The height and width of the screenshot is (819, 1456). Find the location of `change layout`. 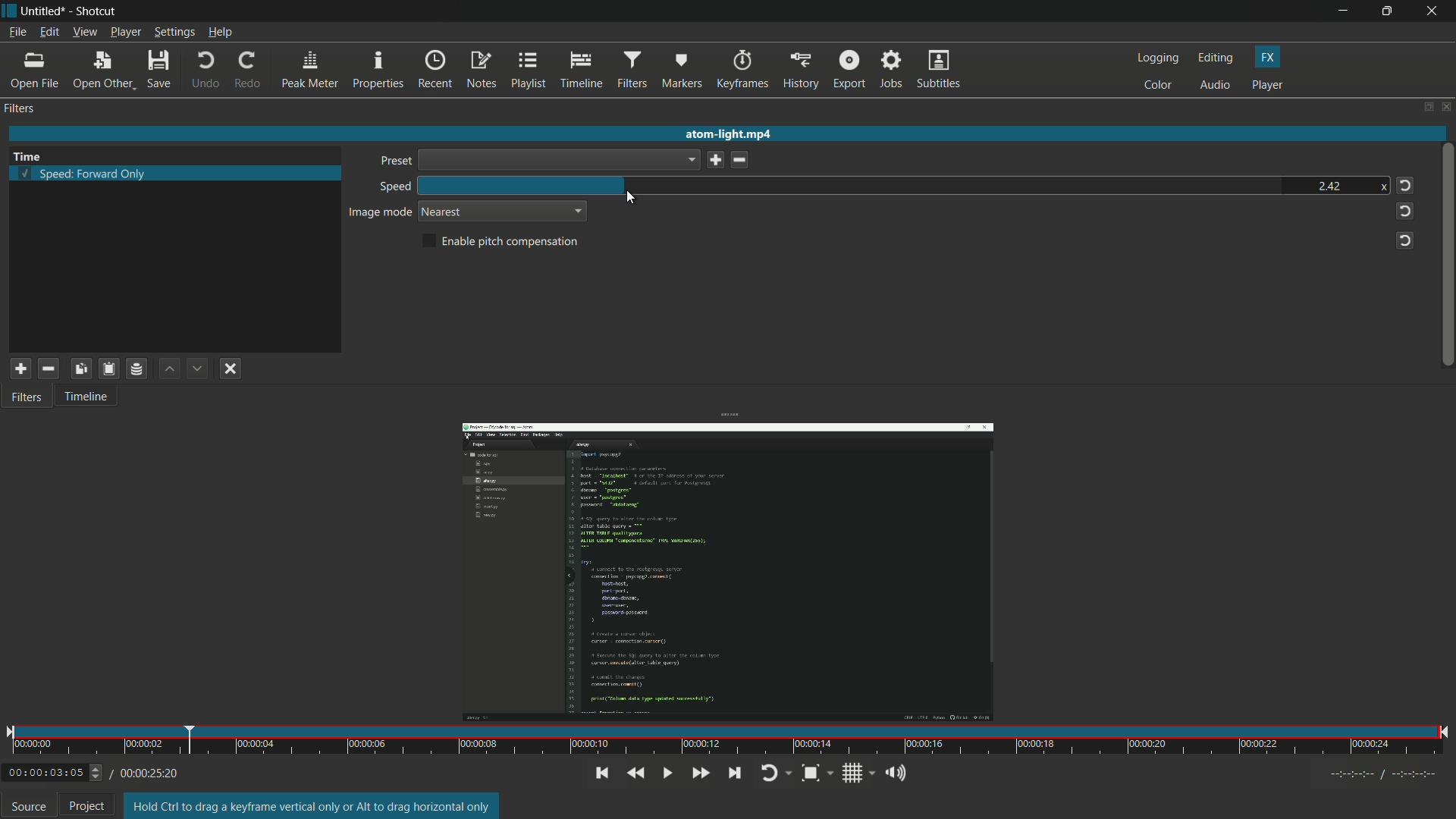

change layout is located at coordinates (1426, 107).